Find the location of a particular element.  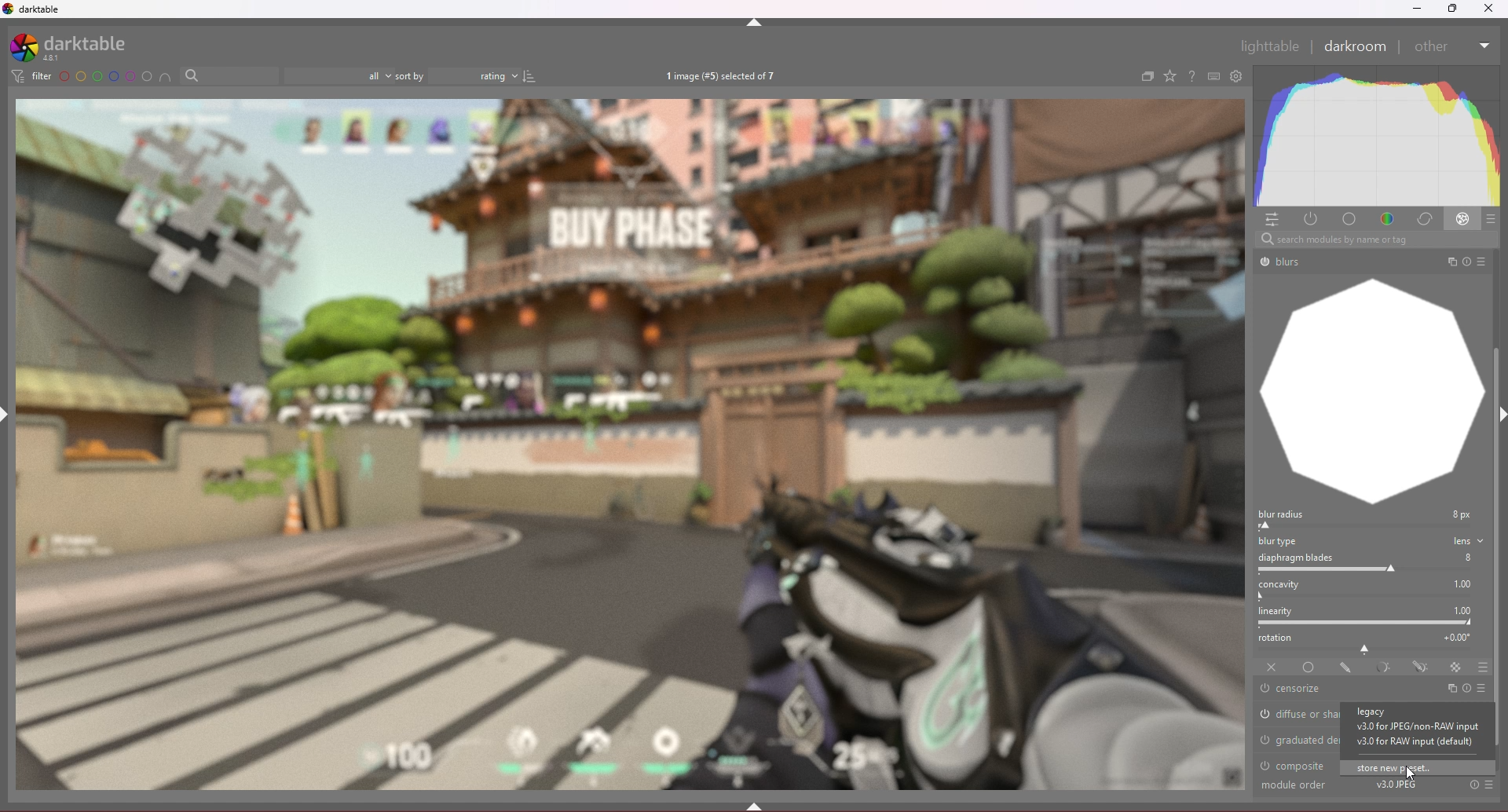

presets is located at coordinates (1492, 219).